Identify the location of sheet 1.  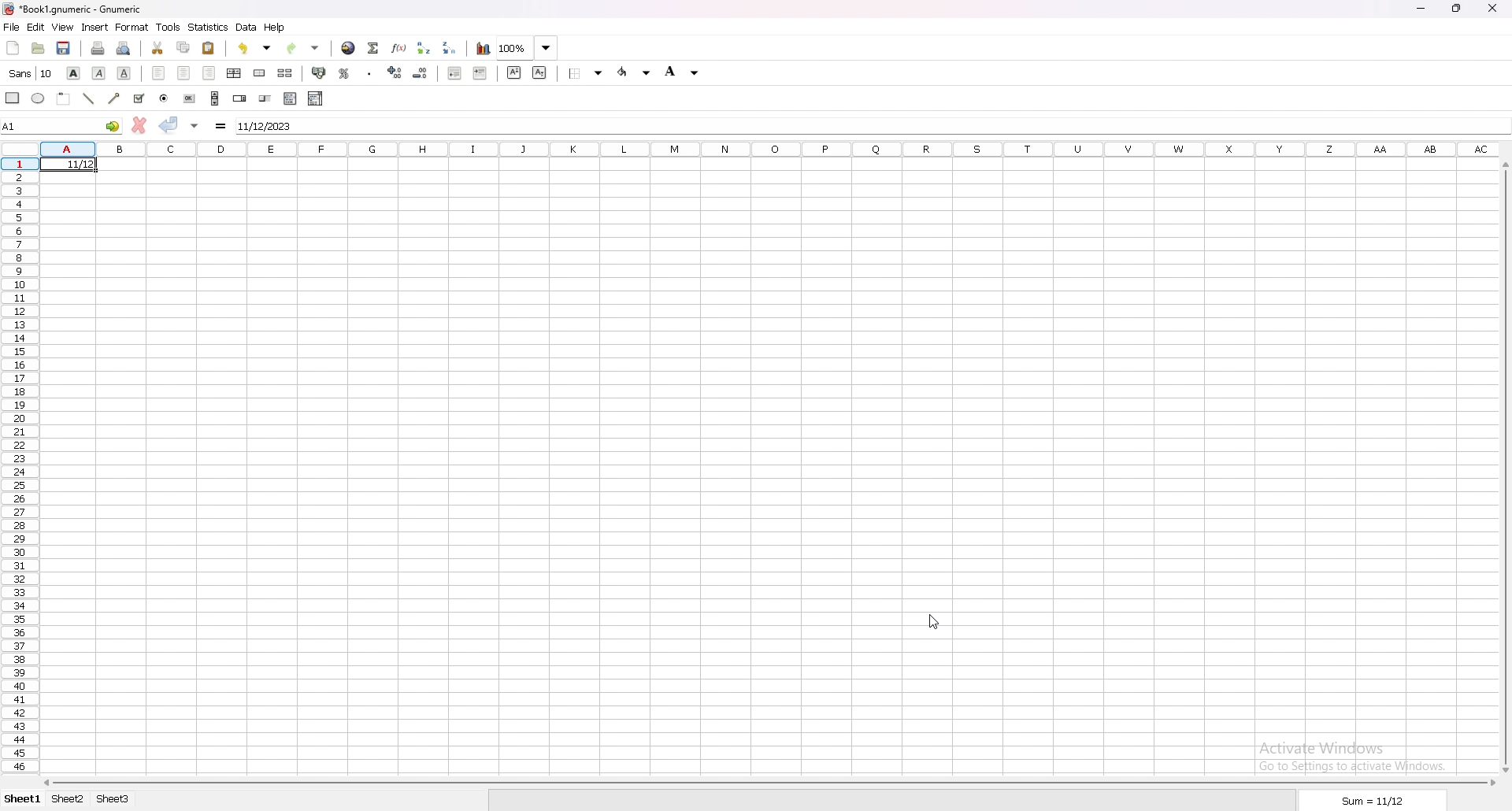
(24, 799).